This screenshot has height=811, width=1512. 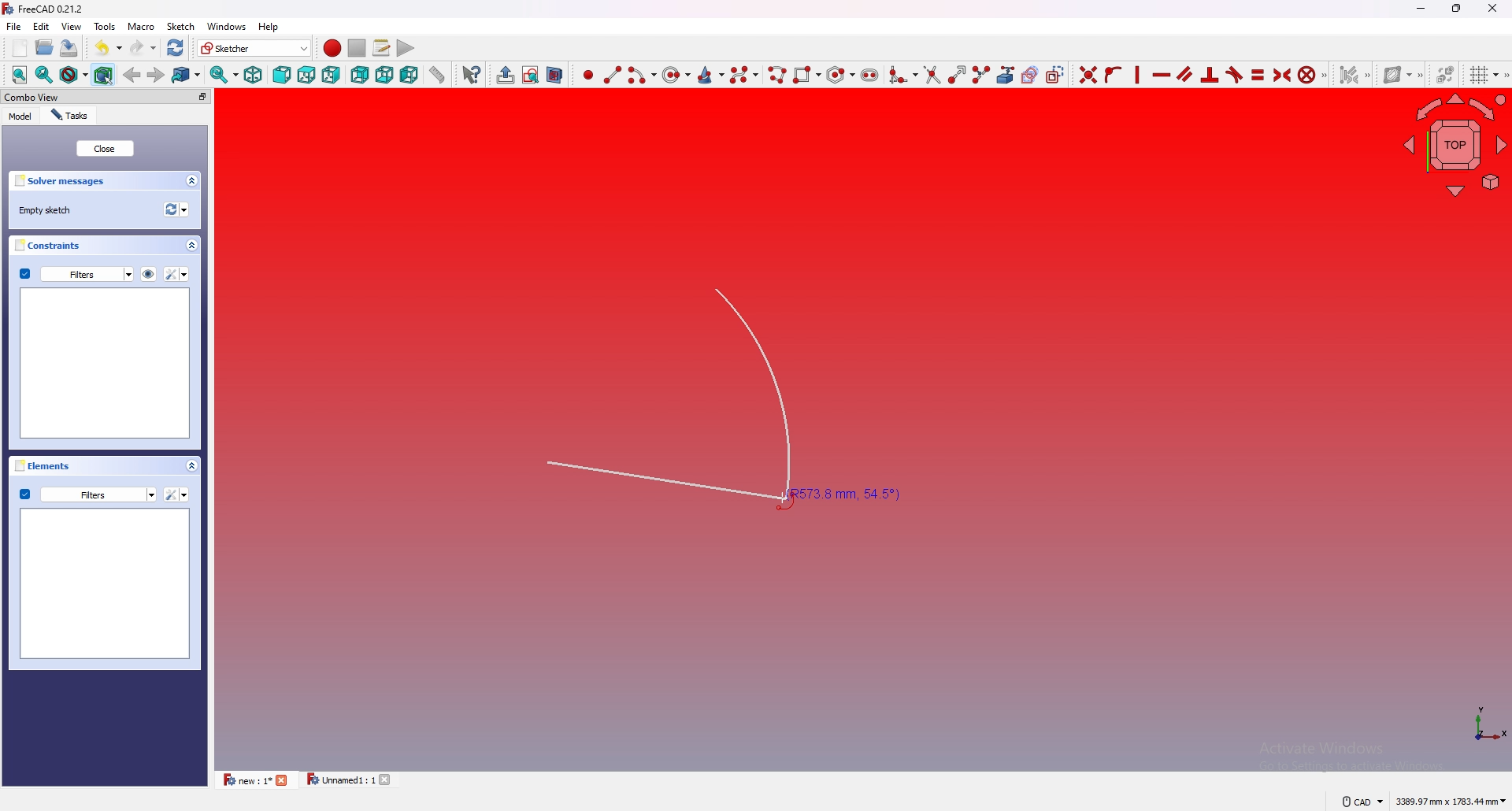 I want to click on create conic, so click(x=710, y=74).